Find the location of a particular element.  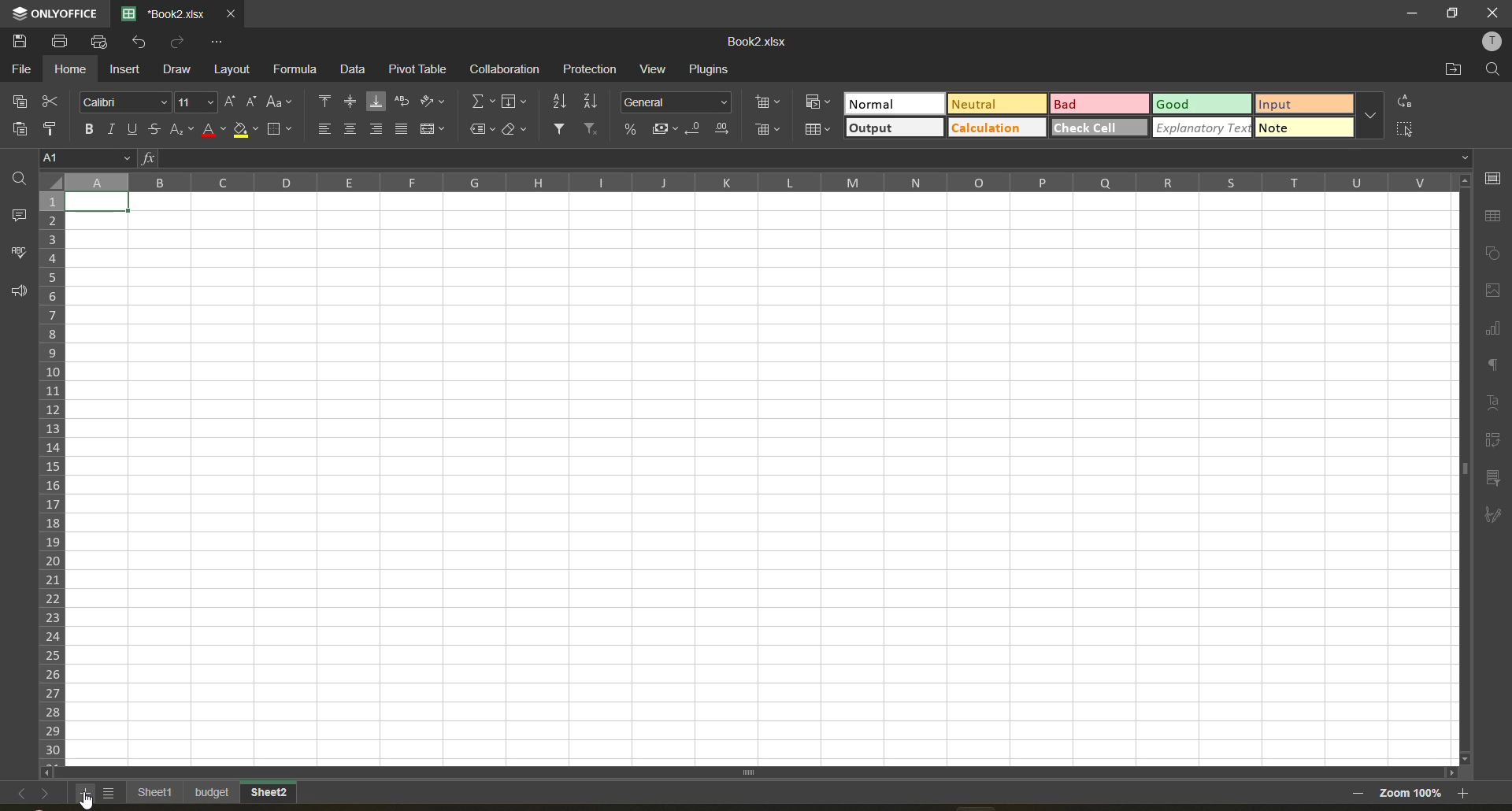

italic is located at coordinates (114, 128).